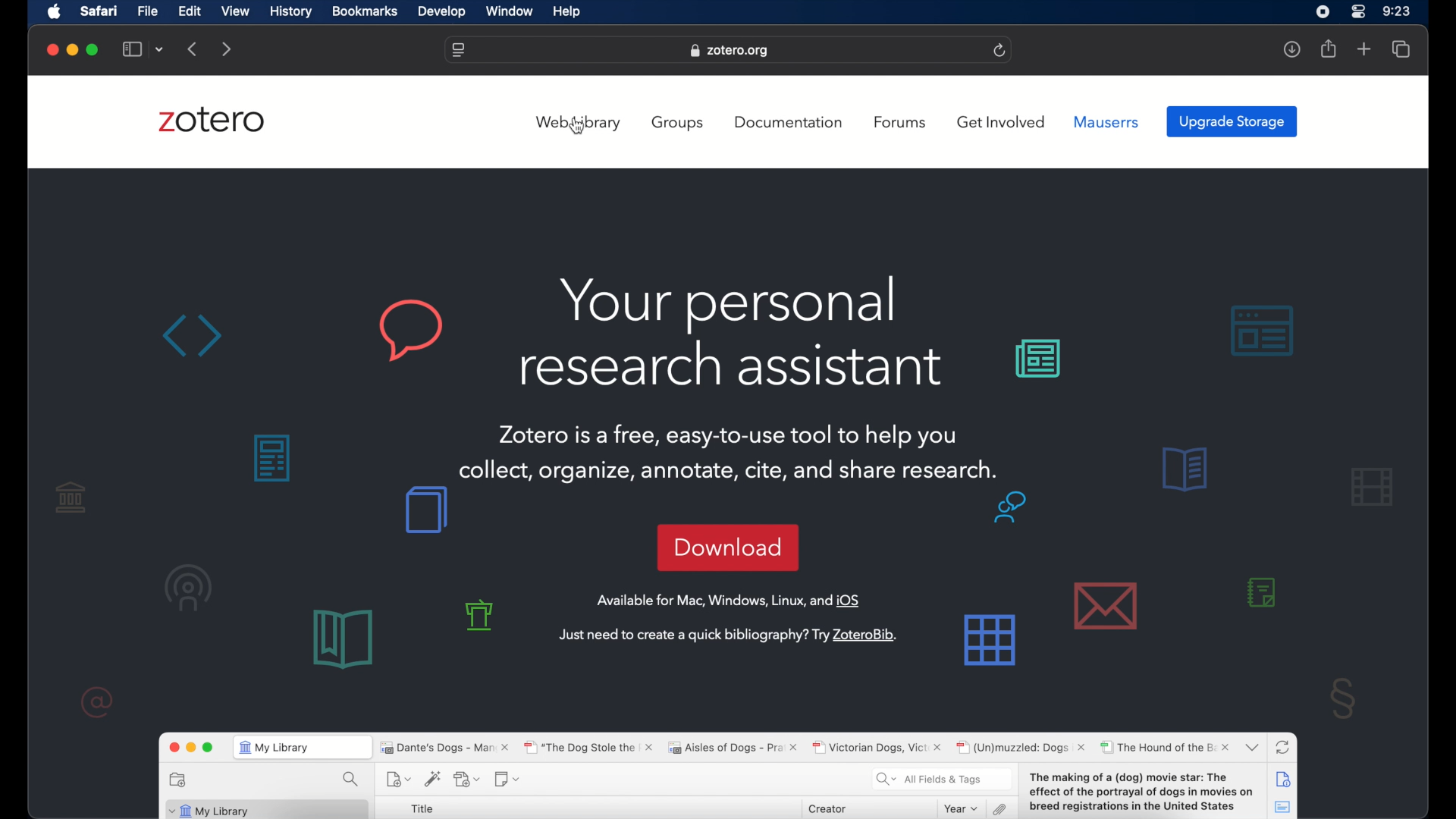  Describe the element at coordinates (188, 11) in the screenshot. I see `edit` at that location.